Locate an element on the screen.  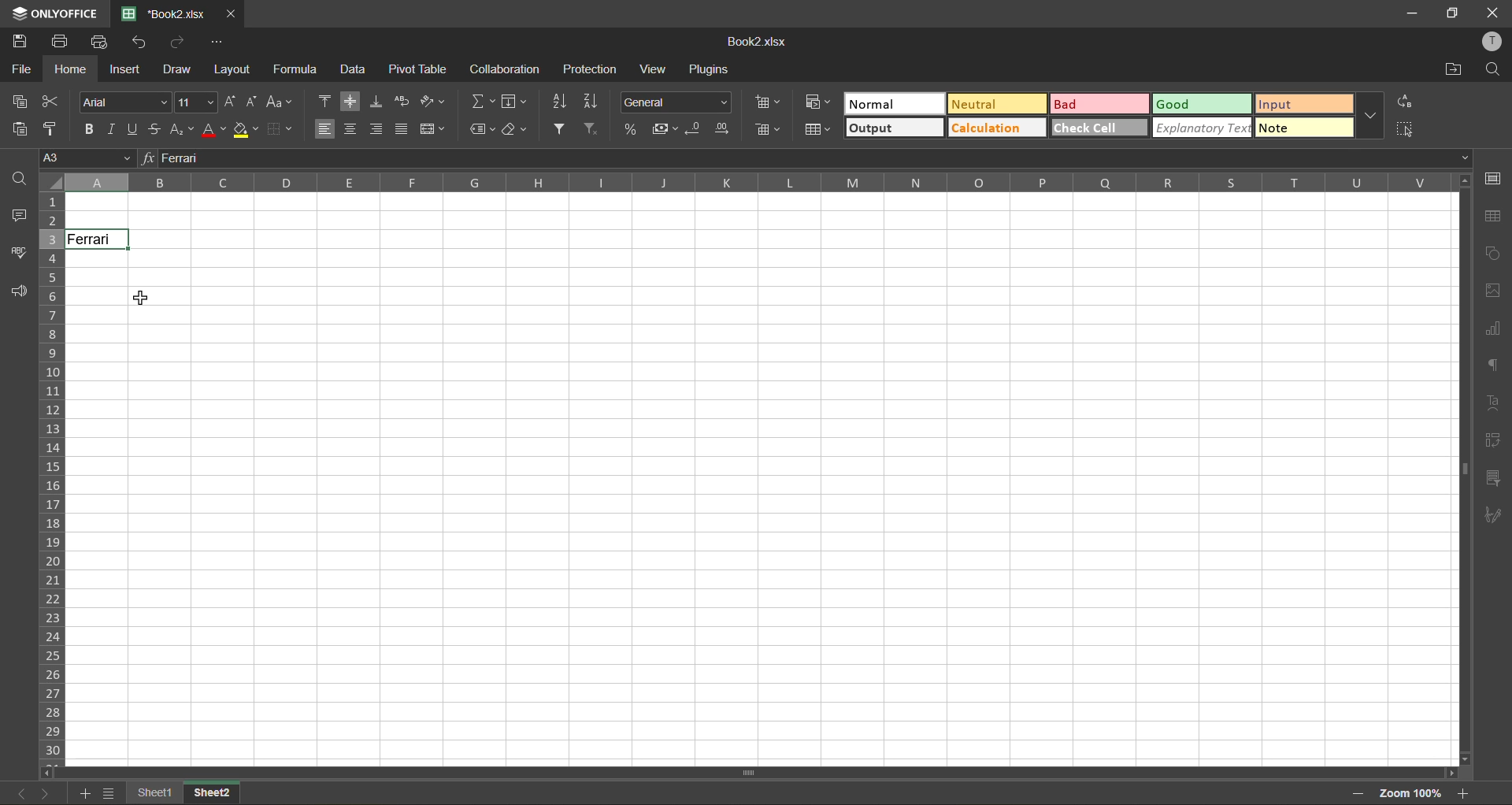
sub/superscript is located at coordinates (182, 131).